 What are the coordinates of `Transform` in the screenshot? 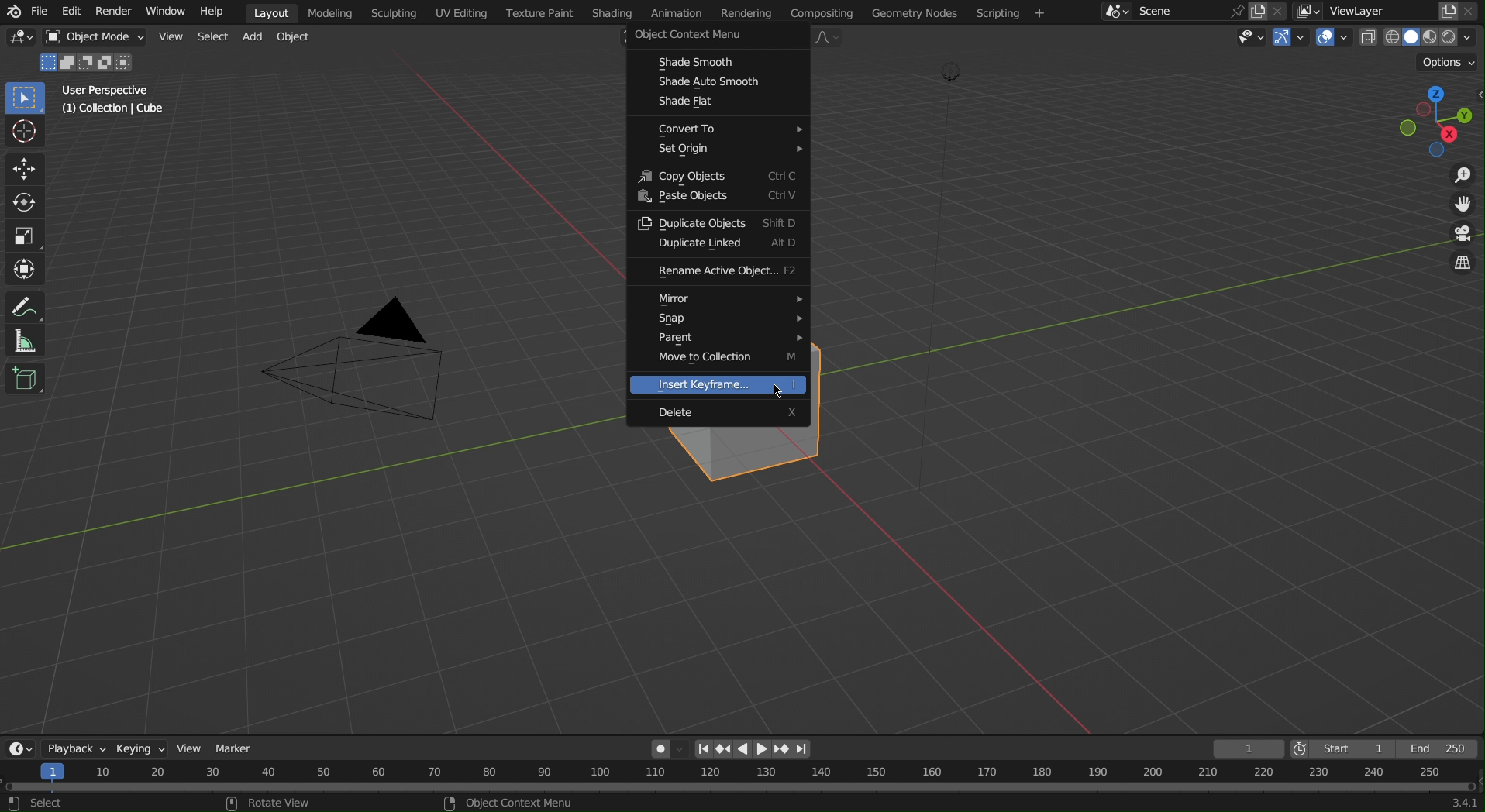 It's located at (25, 268).